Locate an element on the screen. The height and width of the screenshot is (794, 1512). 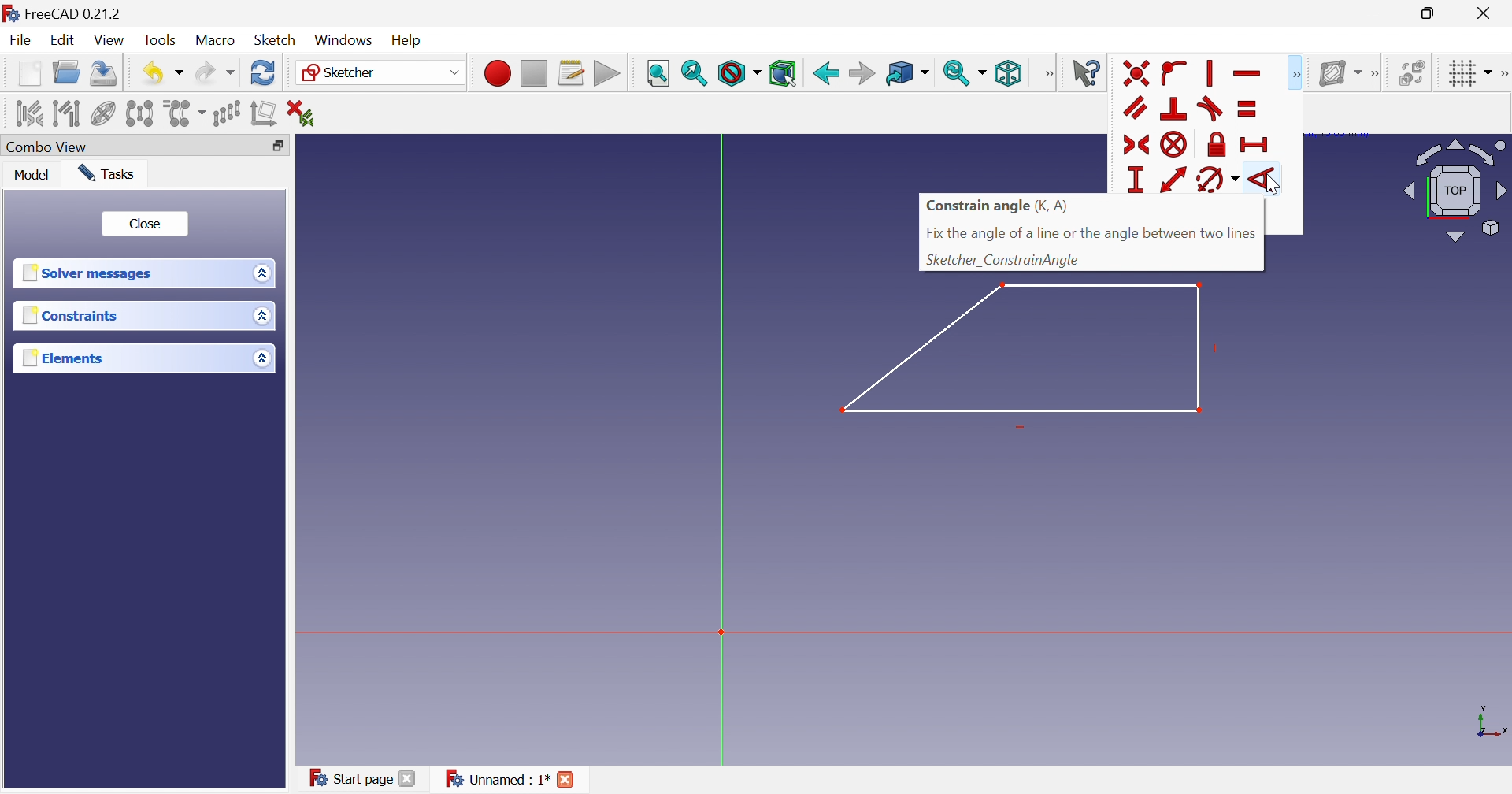
Model is located at coordinates (35, 176).